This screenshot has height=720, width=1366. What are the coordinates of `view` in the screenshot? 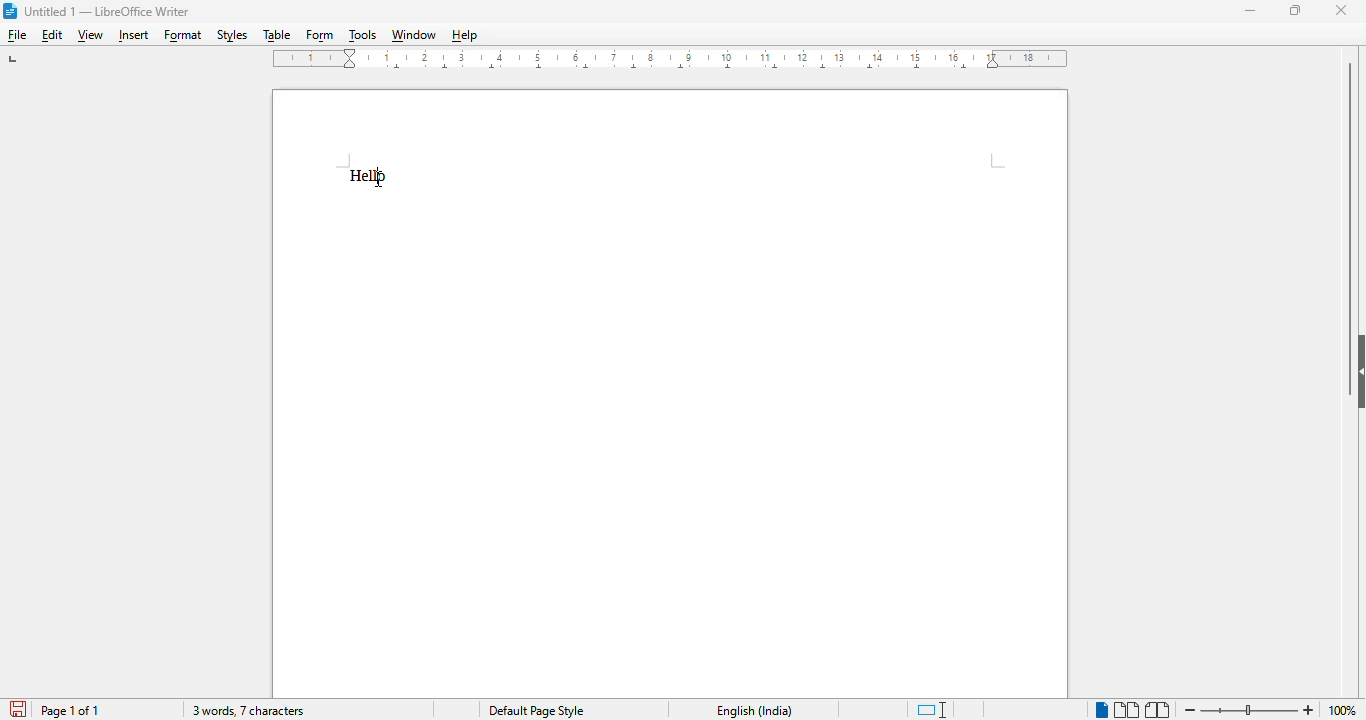 It's located at (90, 37).